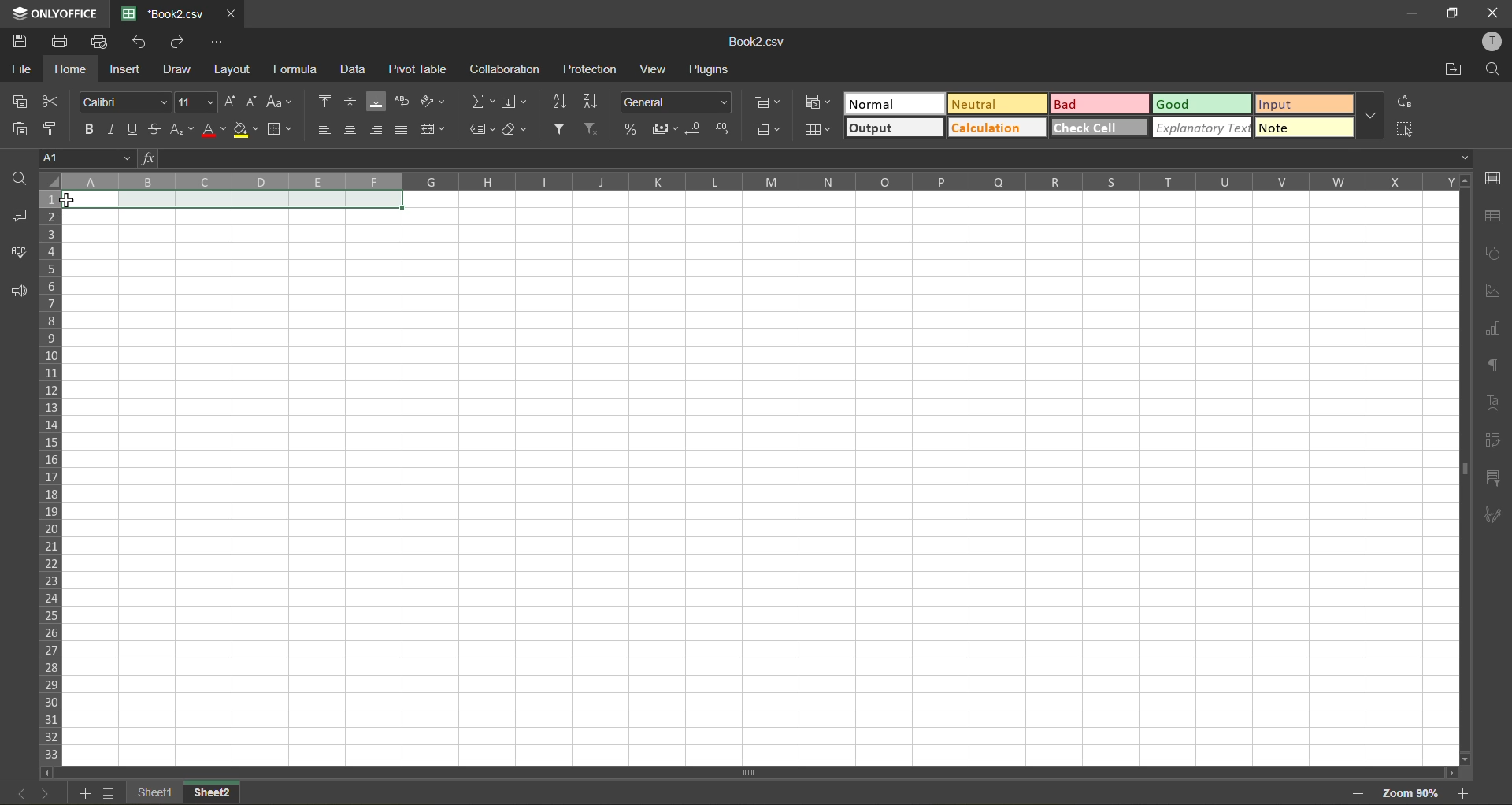 The width and height of the screenshot is (1512, 805). I want to click on zoom out, so click(1358, 791).